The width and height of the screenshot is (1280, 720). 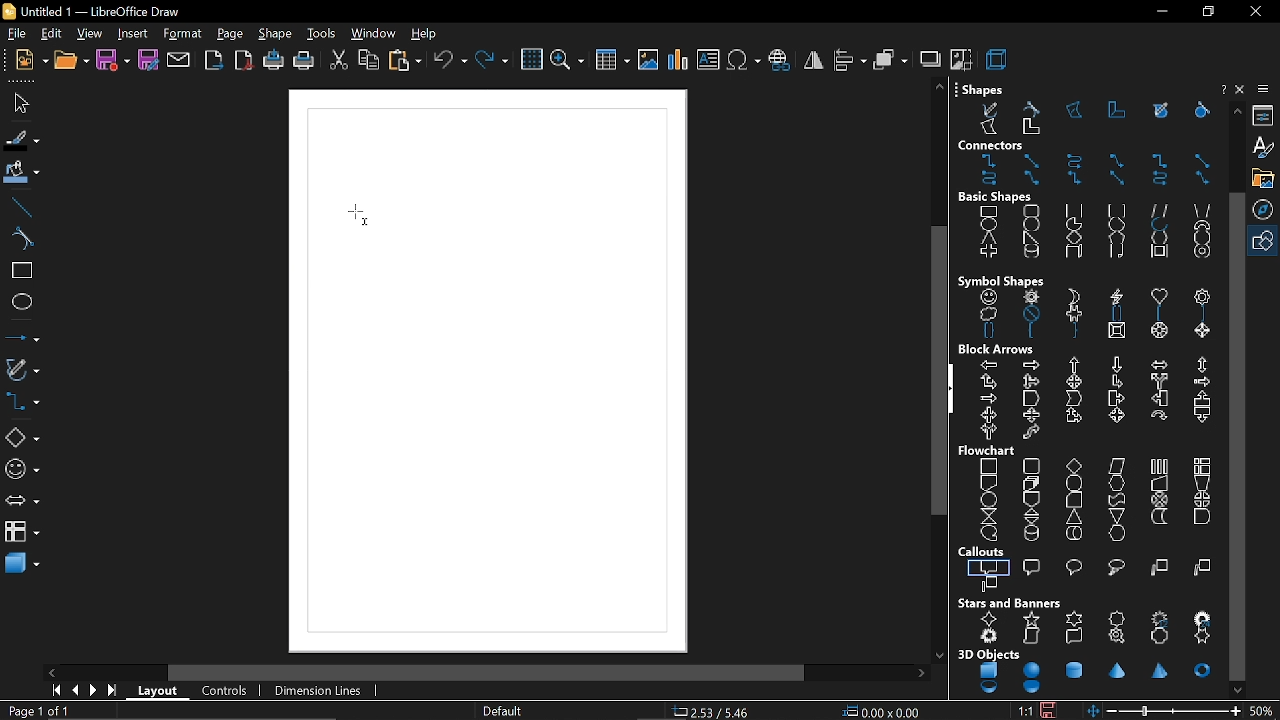 What do you see at coordinates (223, 692) in the screenshot?
I see `controls` at bounding box center [223, 692].